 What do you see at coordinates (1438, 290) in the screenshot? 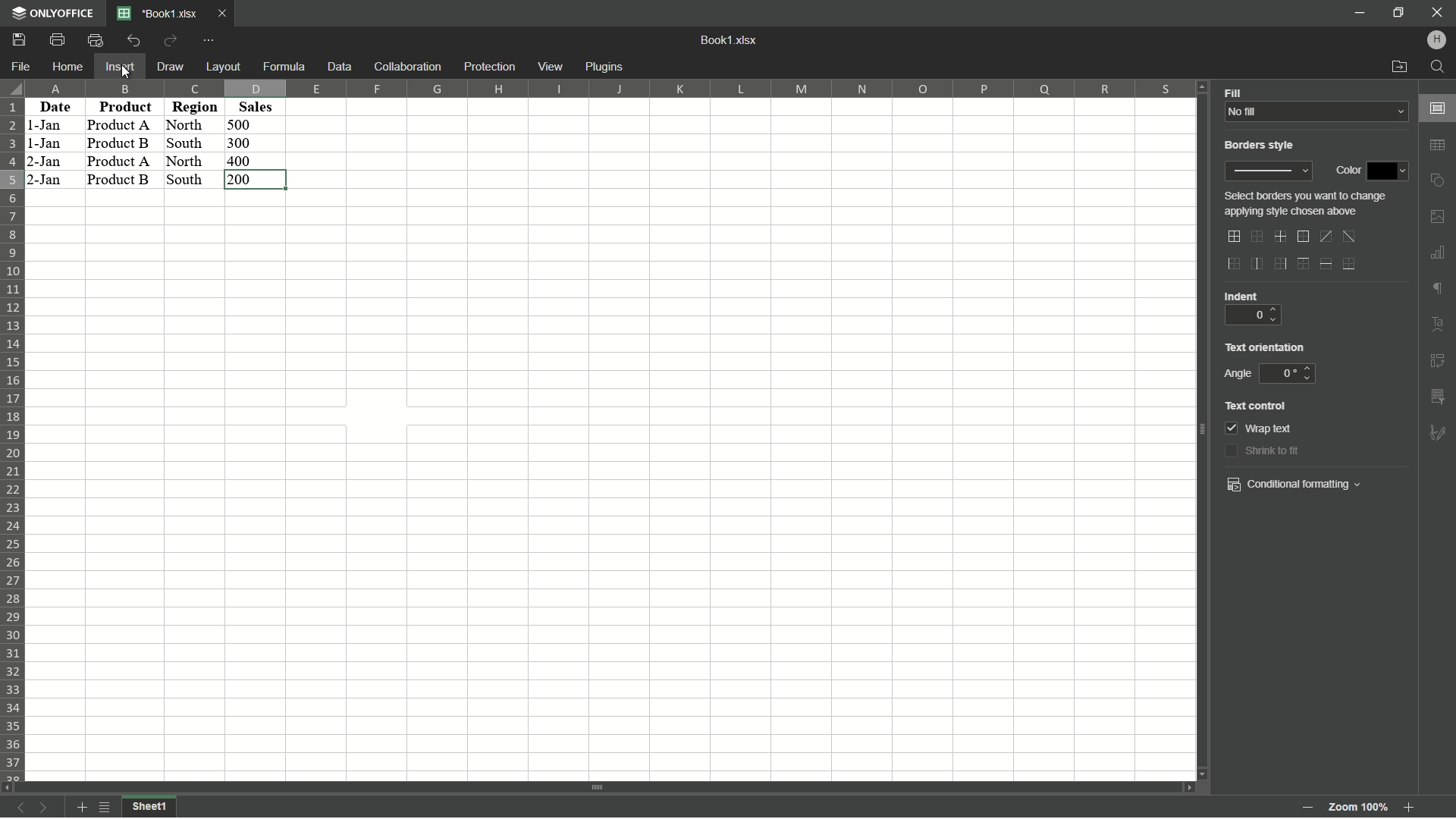
I see `format marks` at bounding box center [1438, 290].